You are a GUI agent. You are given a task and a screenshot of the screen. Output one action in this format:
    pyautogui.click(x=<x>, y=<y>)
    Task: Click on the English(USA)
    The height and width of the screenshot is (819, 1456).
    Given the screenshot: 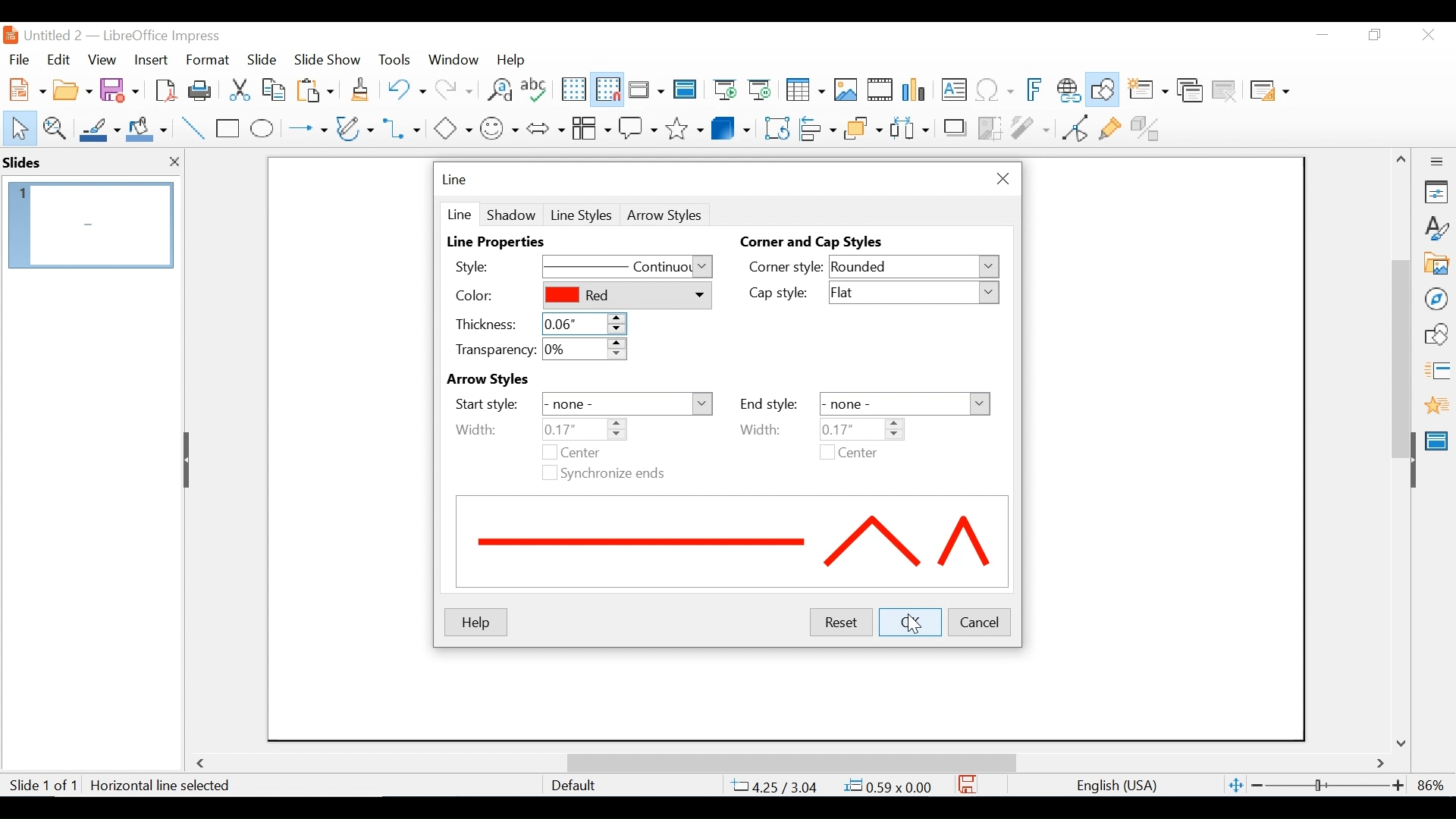 What is the action you would take?
    pyautogui.click(x=1109, y=786)
    